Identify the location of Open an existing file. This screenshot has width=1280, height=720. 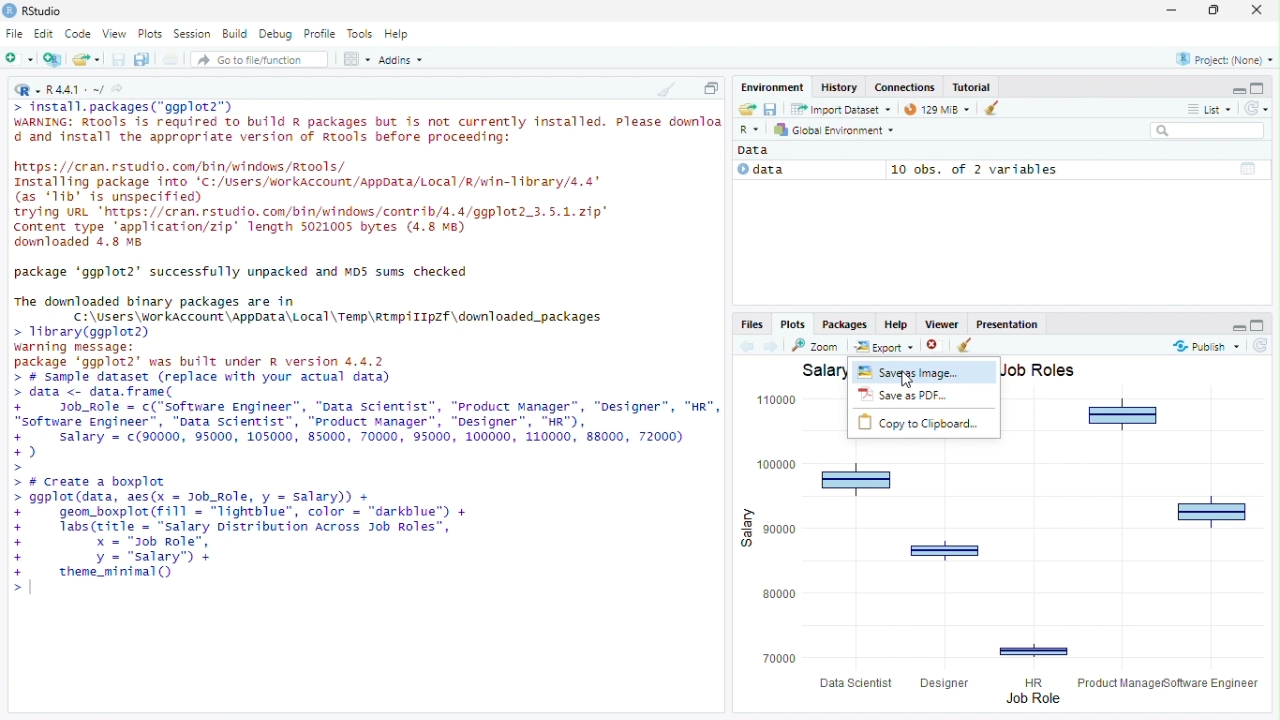
(86, 58).